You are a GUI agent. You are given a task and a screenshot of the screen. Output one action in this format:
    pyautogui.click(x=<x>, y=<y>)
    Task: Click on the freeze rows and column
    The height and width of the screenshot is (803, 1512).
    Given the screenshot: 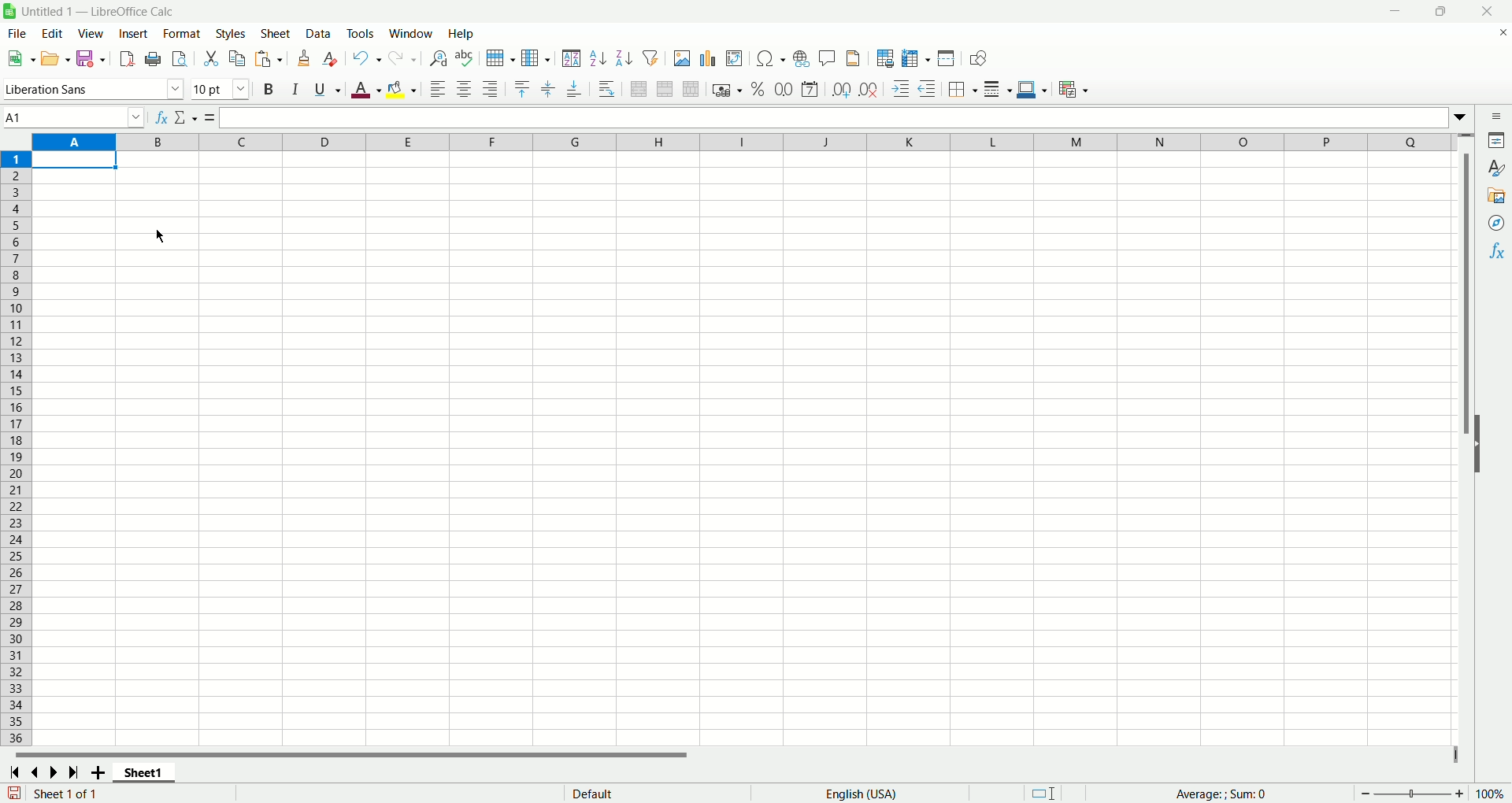 What is the action you would take?
    pyautogui.click(x=915, y=59)
    